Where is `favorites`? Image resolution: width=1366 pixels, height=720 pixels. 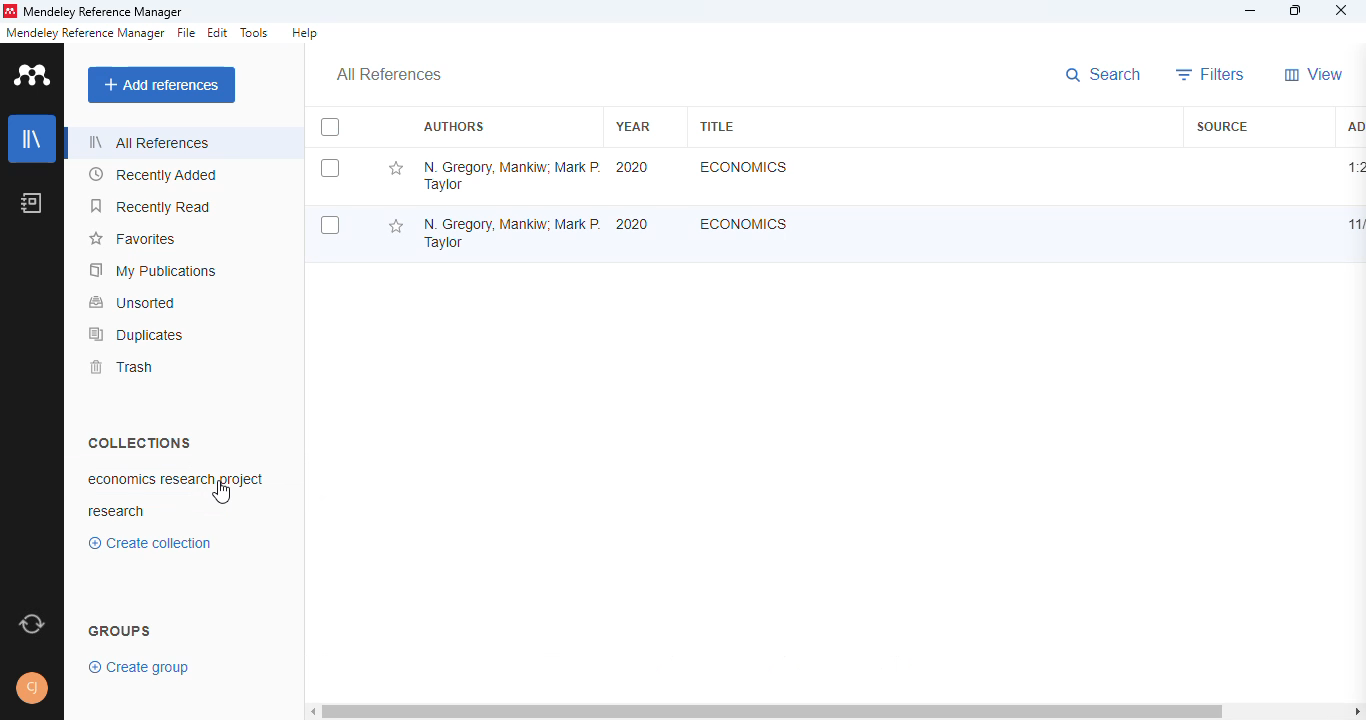 favorites is located at coordinates (131, 239).